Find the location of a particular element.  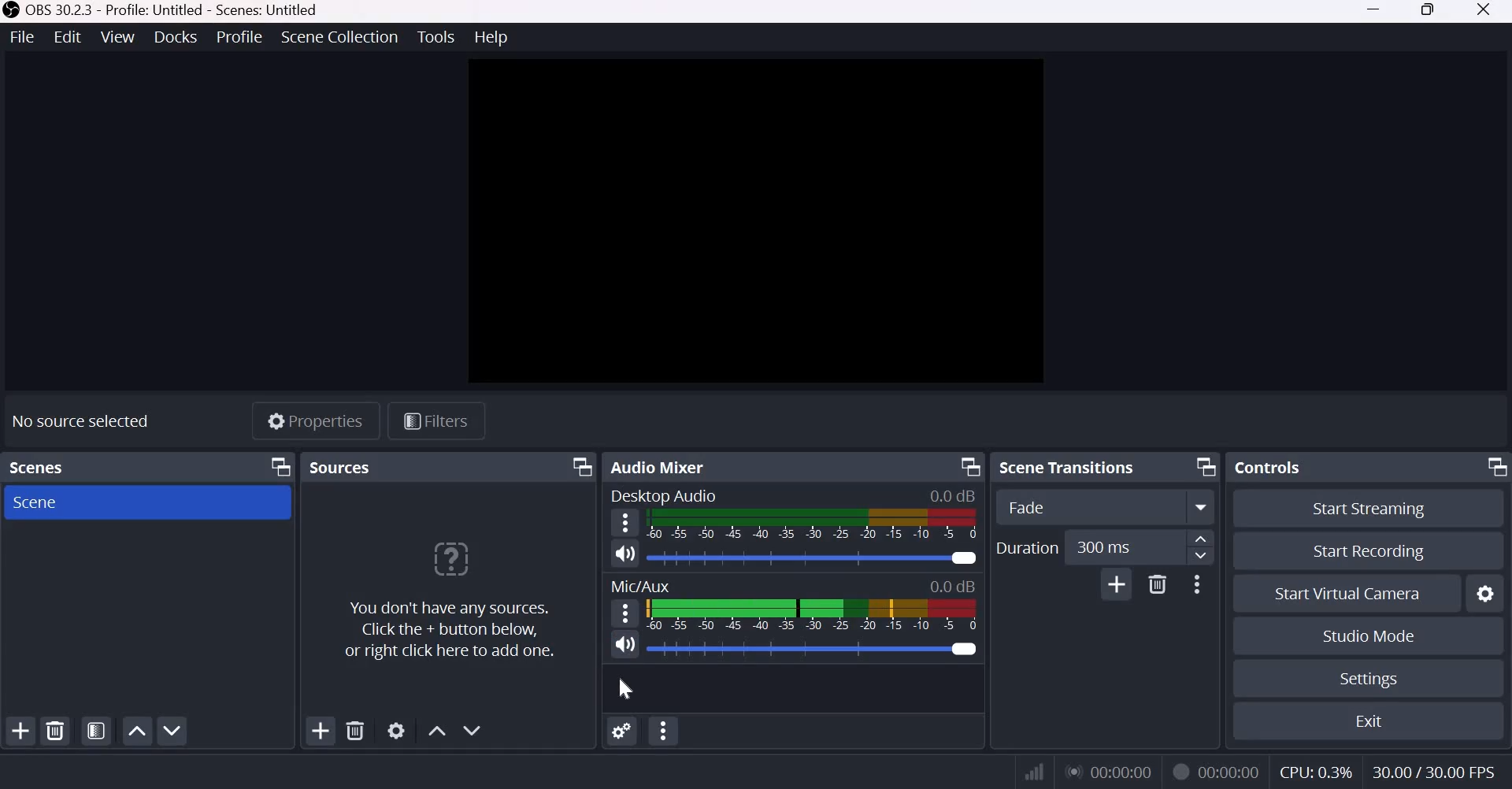

Start recording is located at coordinates (1366, 552).